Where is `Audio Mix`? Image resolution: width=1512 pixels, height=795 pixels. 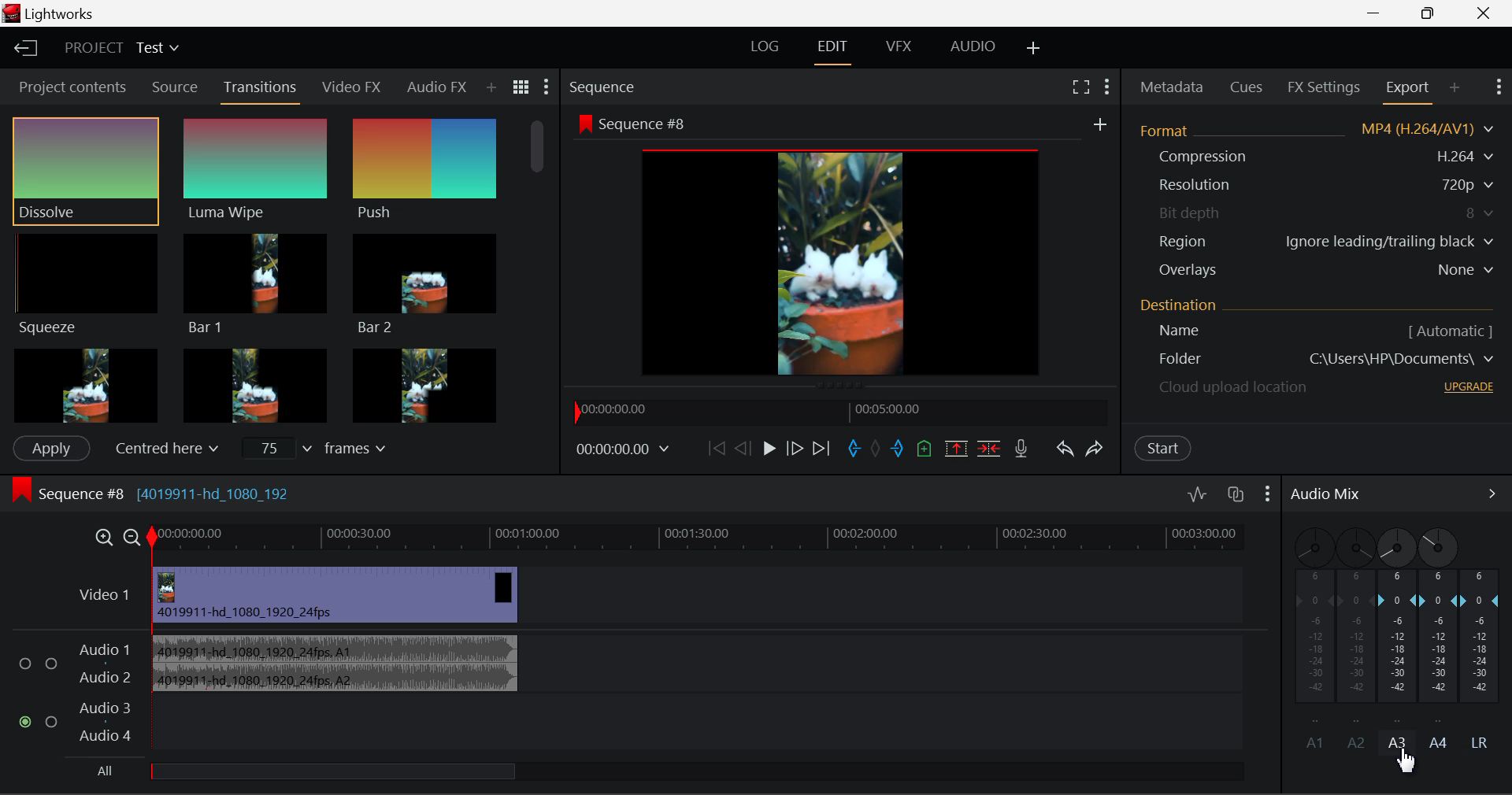
Audio Mix is located at coordinates (1327, 496).